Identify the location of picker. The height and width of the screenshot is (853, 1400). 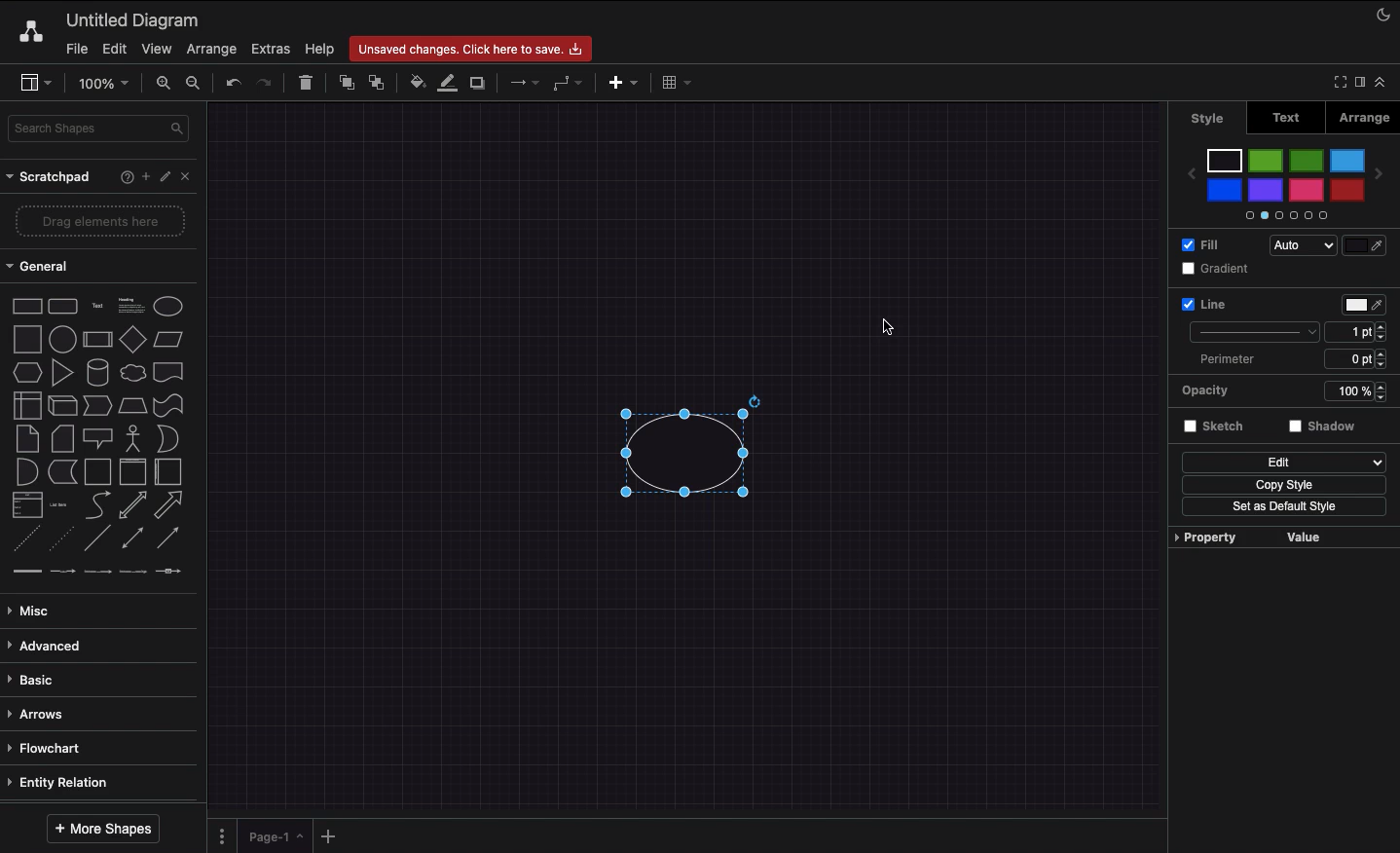
(1366, 300).